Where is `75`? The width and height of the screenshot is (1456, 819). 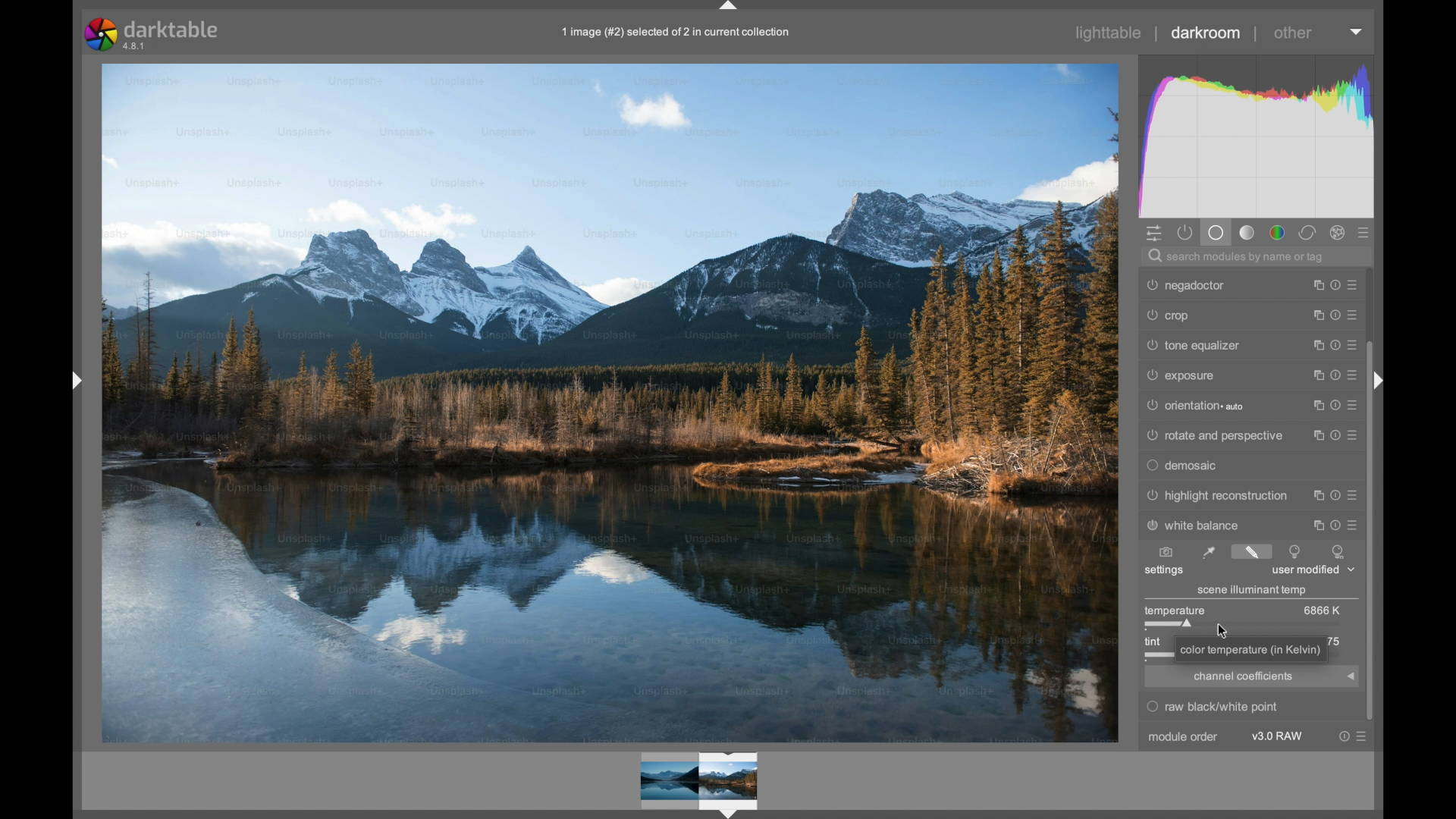
75 is located at coordinates (1336, 640).